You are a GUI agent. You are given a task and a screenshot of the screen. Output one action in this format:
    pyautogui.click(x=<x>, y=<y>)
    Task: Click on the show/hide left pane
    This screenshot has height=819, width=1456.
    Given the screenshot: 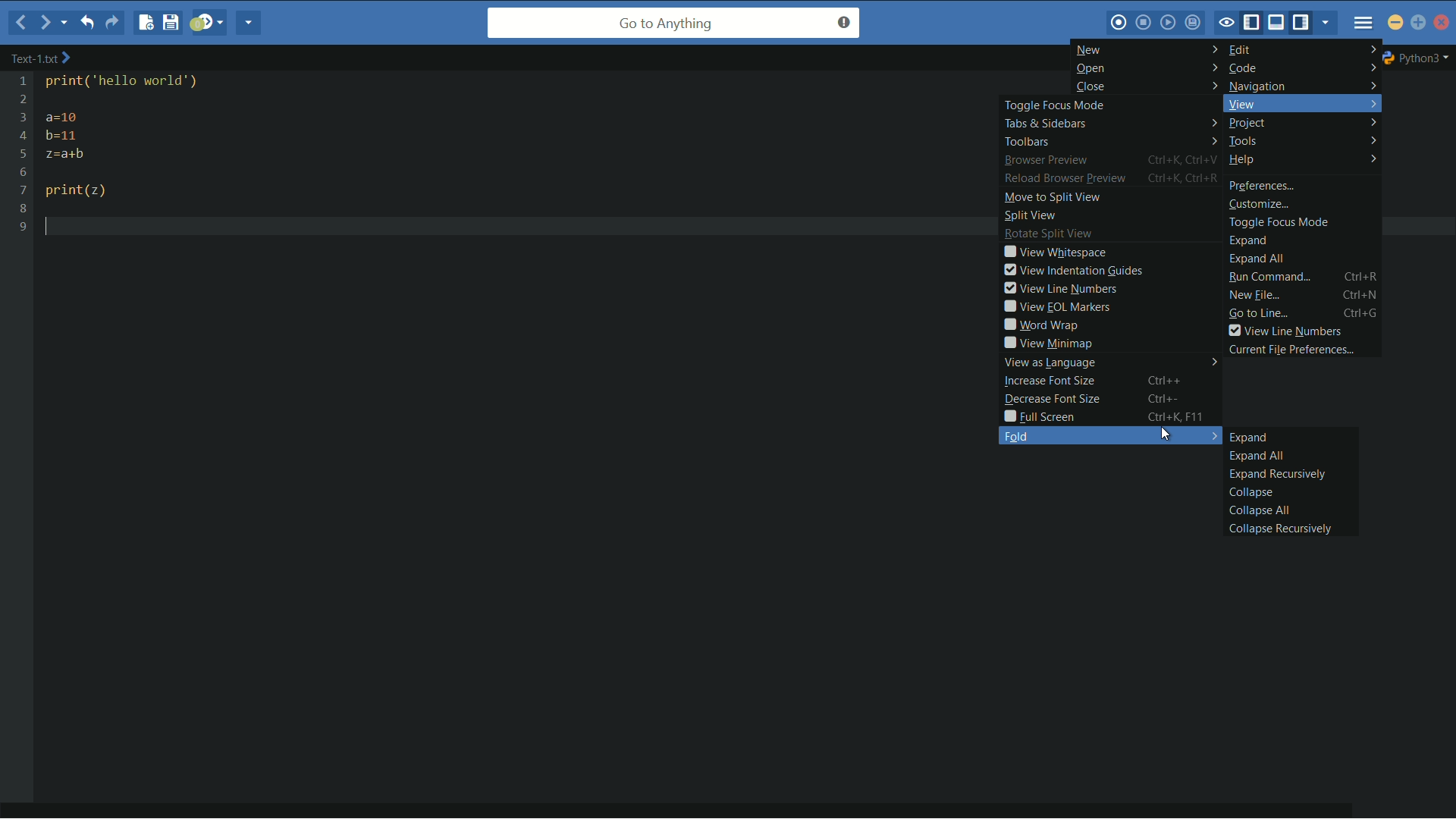 What is the action you would take?
    pyautogui.click(x=1254, y=22)
    